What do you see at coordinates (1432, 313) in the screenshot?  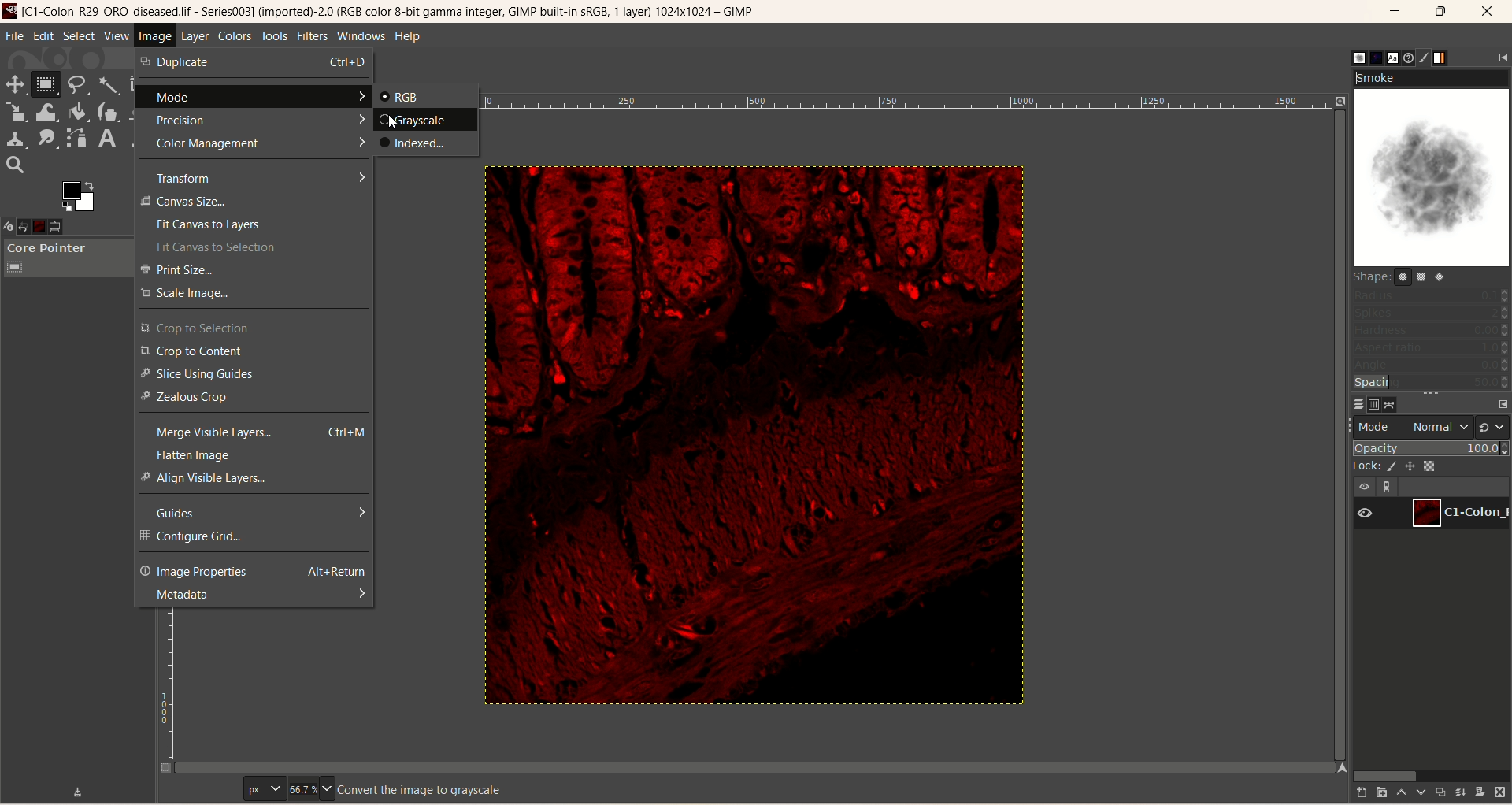 I see `spikes` at bounding box center [1432, 313].